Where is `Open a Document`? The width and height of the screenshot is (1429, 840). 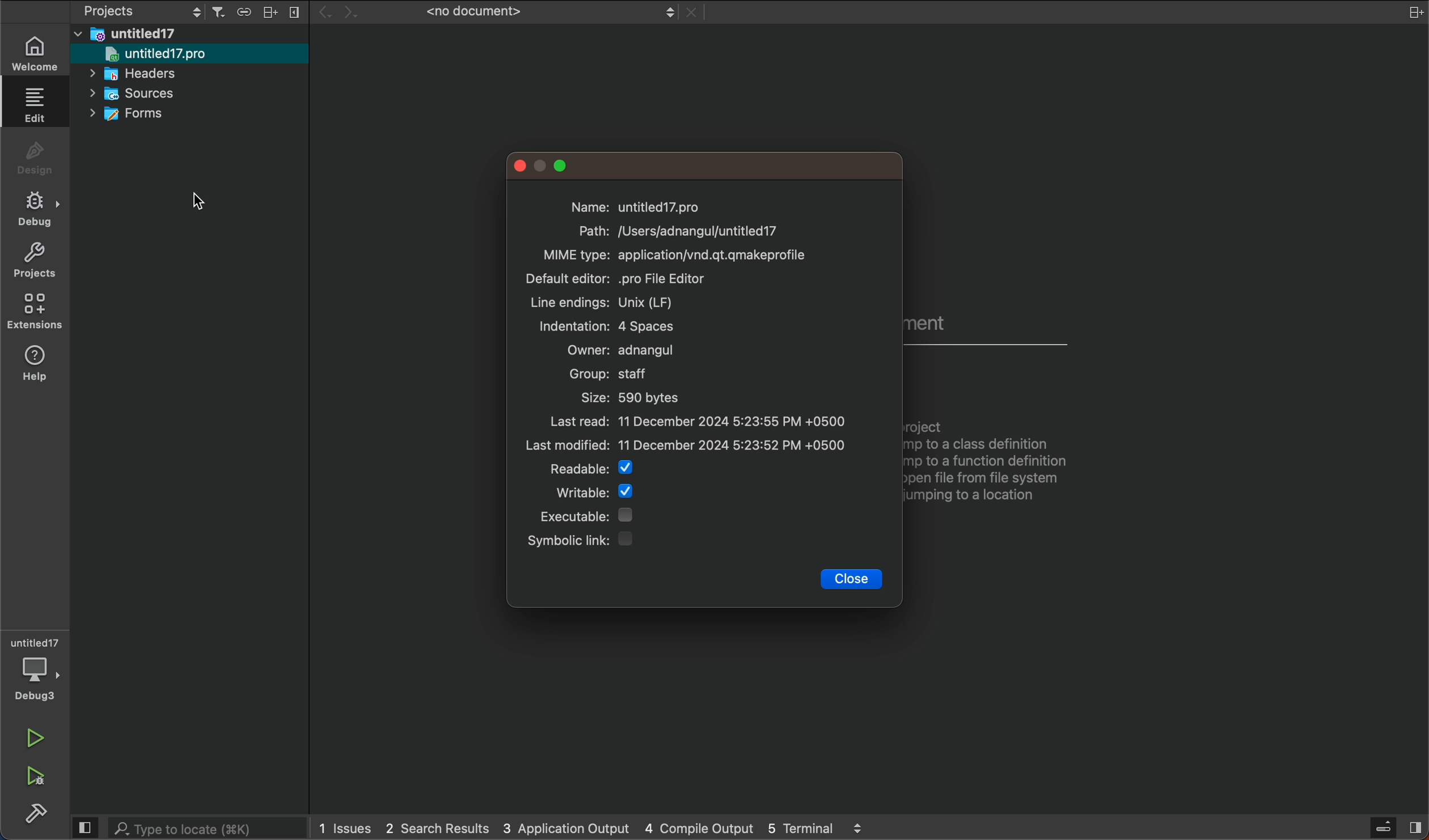
Open a Document is located at coordinates (999, 436).